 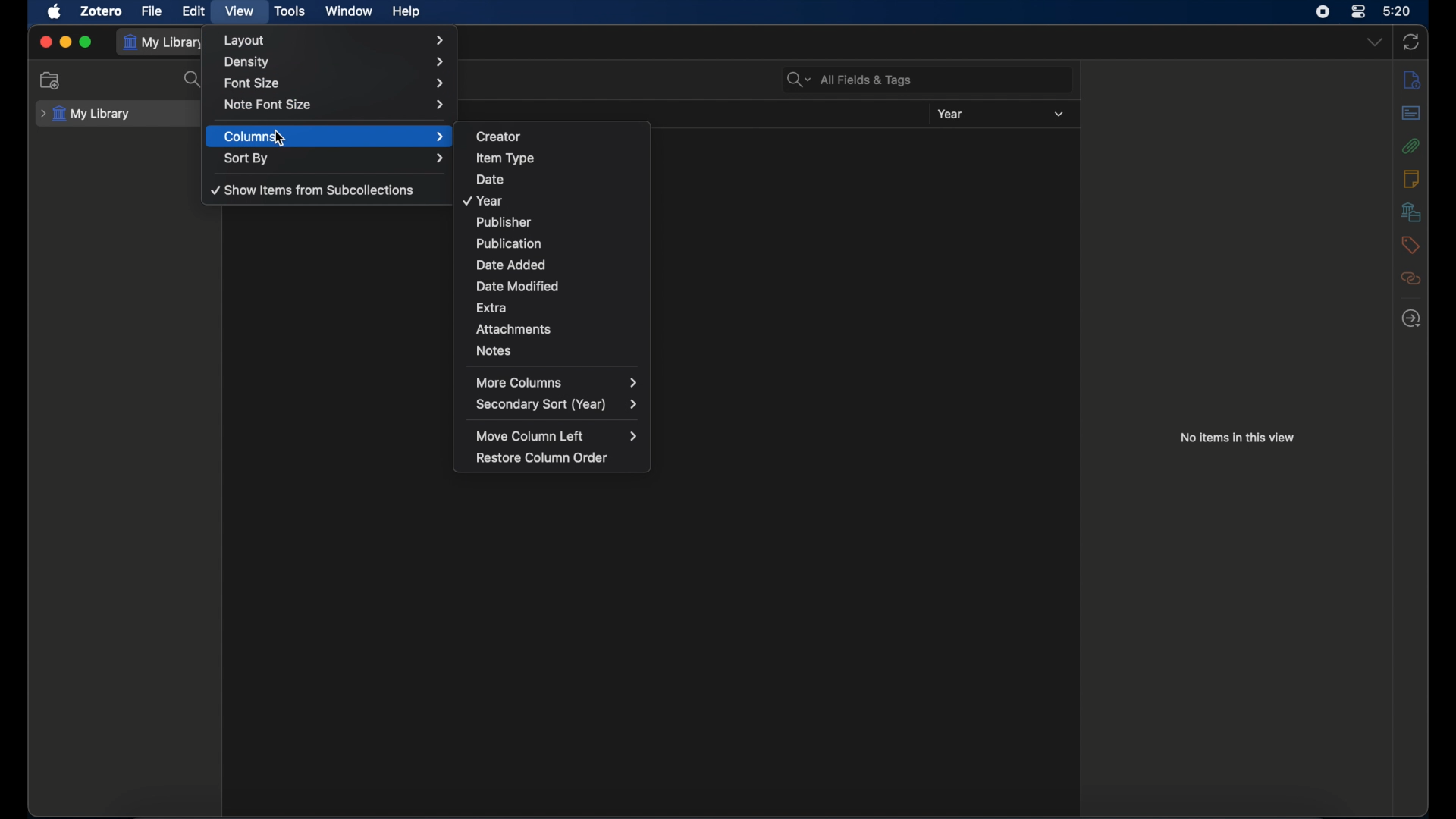 What do you see at coordinates (1411, 318) in the screenshot?
I see `locate` at bounding box center [1411, 318].